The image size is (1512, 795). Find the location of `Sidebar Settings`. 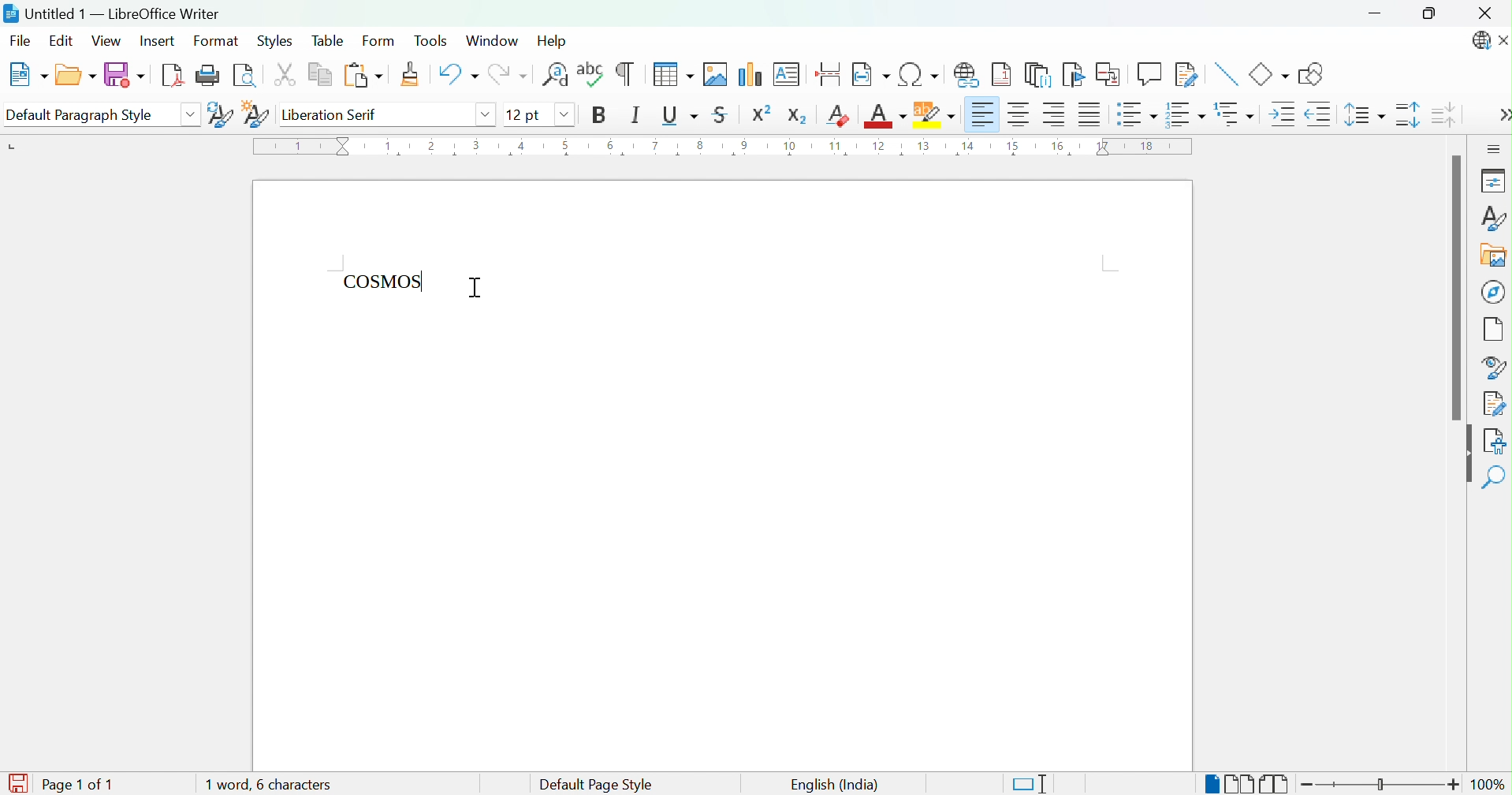

Sidebar Settings is located at coordinates (1494, 148).